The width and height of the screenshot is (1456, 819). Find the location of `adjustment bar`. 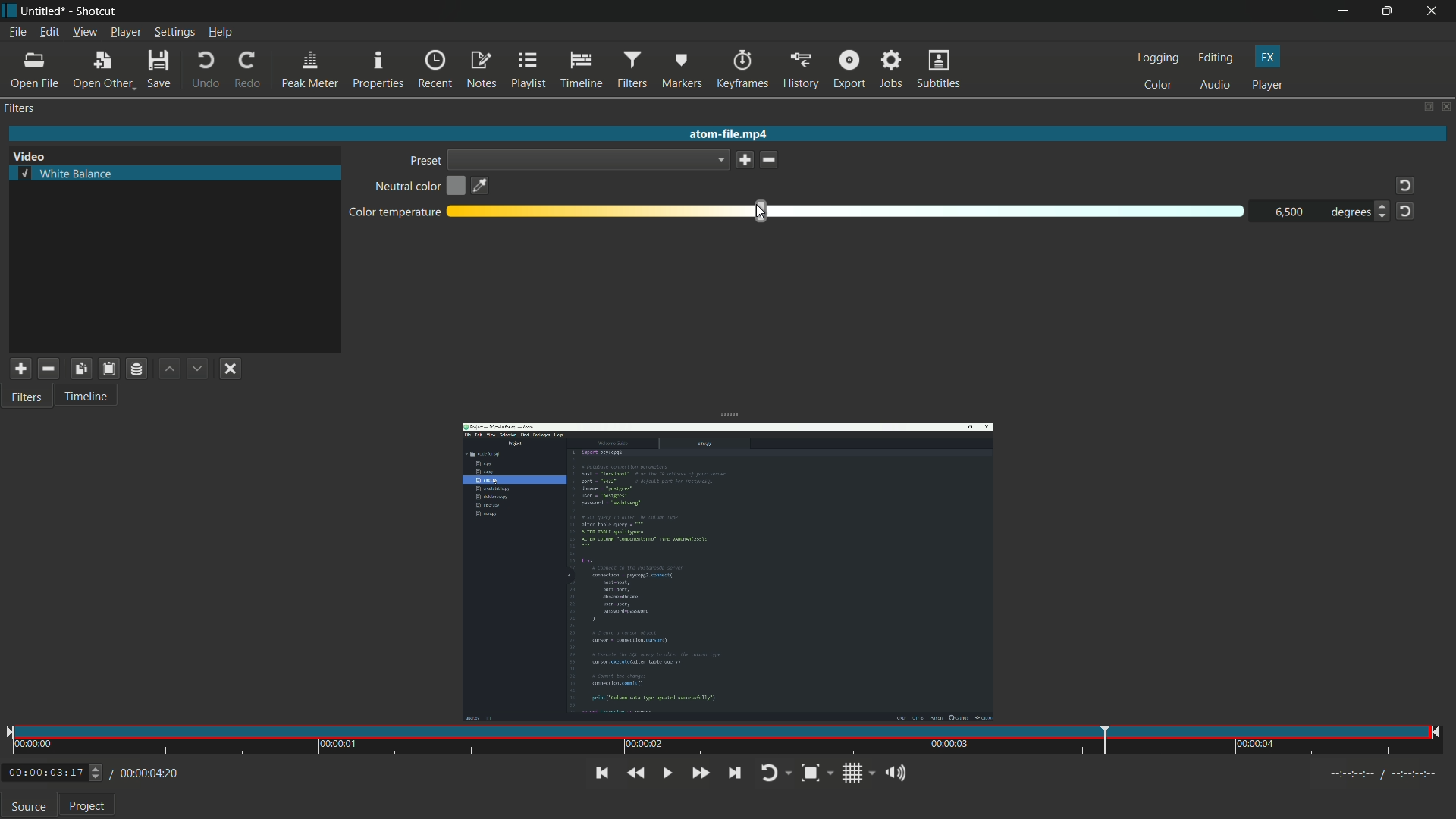

adjustment bar is located at coordinates (847, 212).